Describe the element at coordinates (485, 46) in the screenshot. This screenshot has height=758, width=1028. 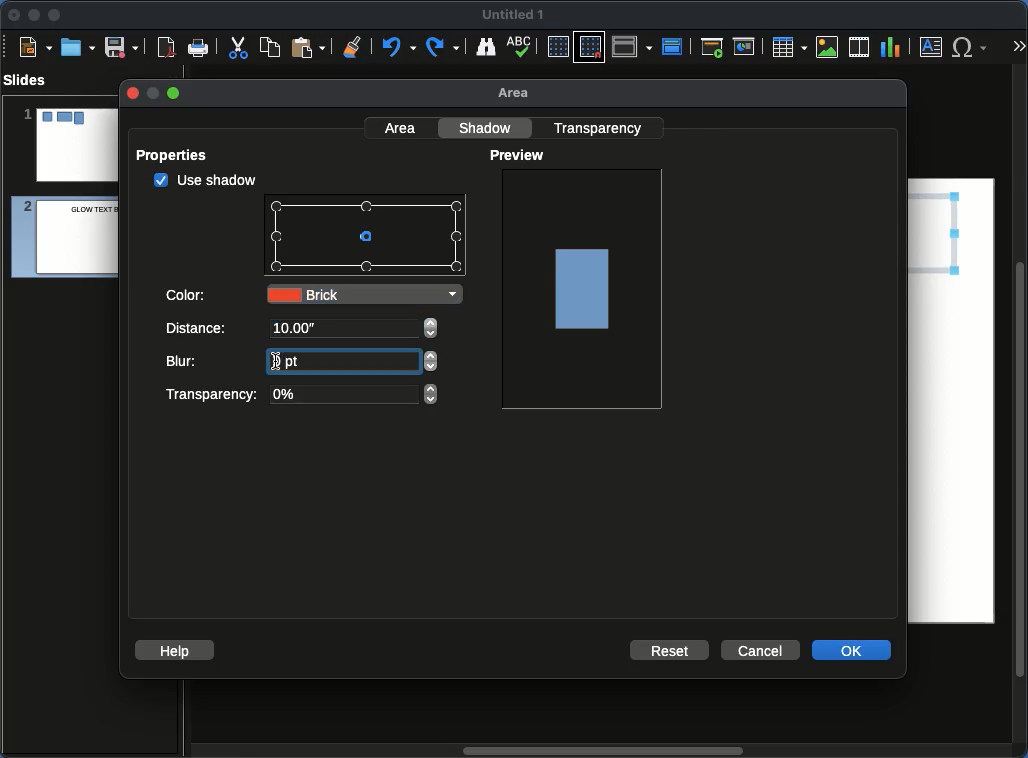
I see `Find` at that location.